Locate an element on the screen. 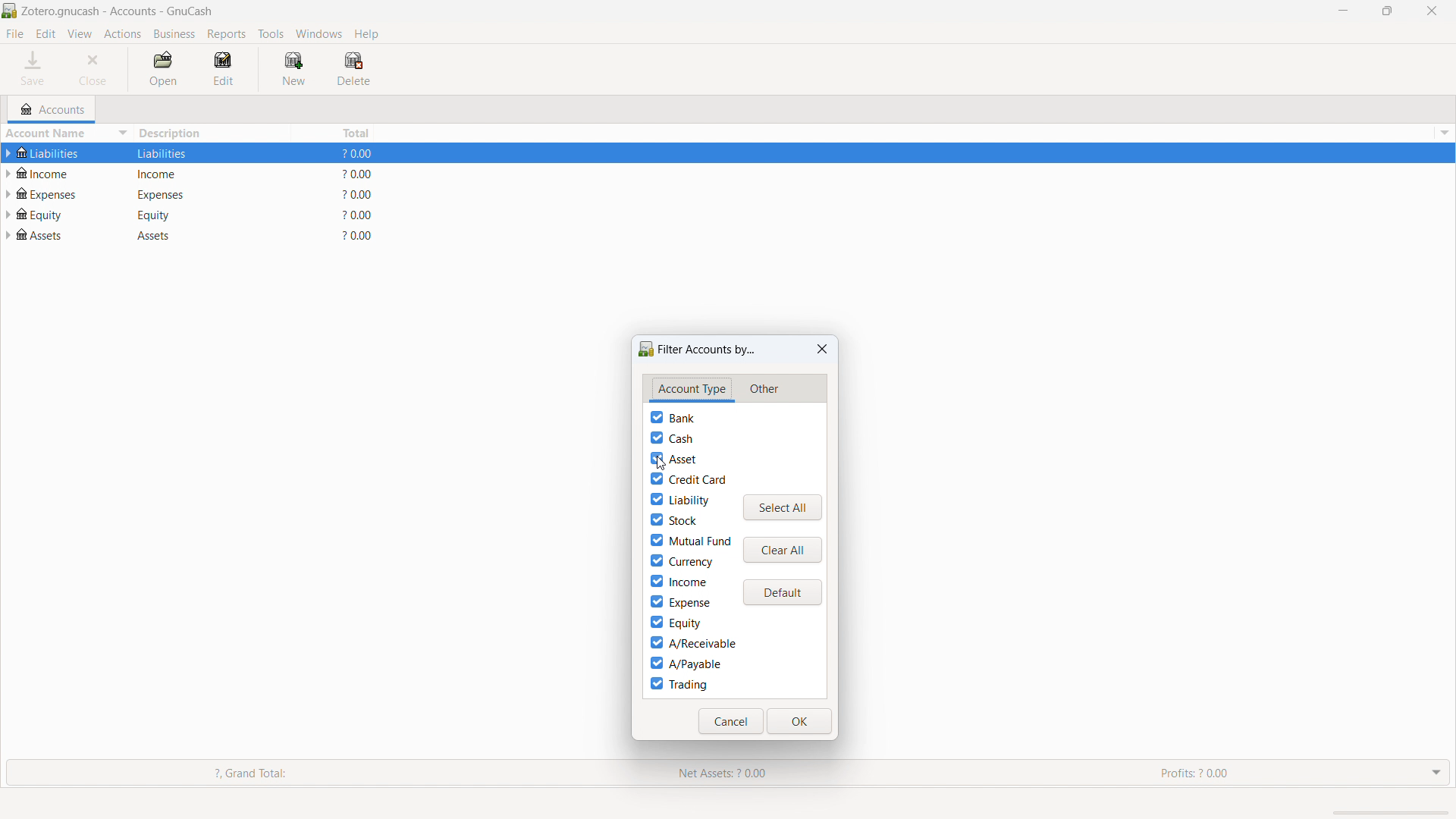 The image size is (1456, 819). description is located at coordinates (212, 133).